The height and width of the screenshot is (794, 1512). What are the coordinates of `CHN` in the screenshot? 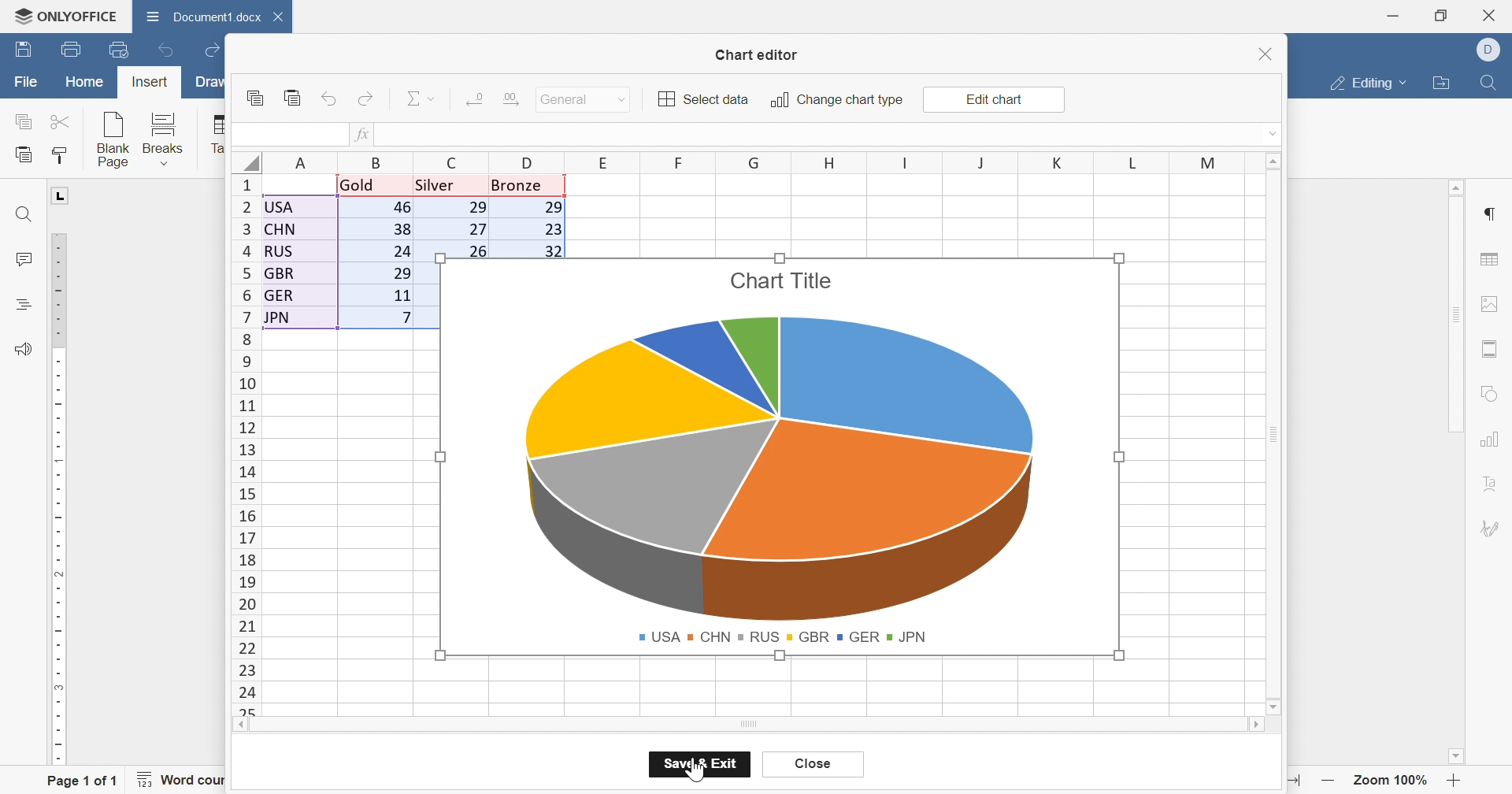 It's located at (710, 635).